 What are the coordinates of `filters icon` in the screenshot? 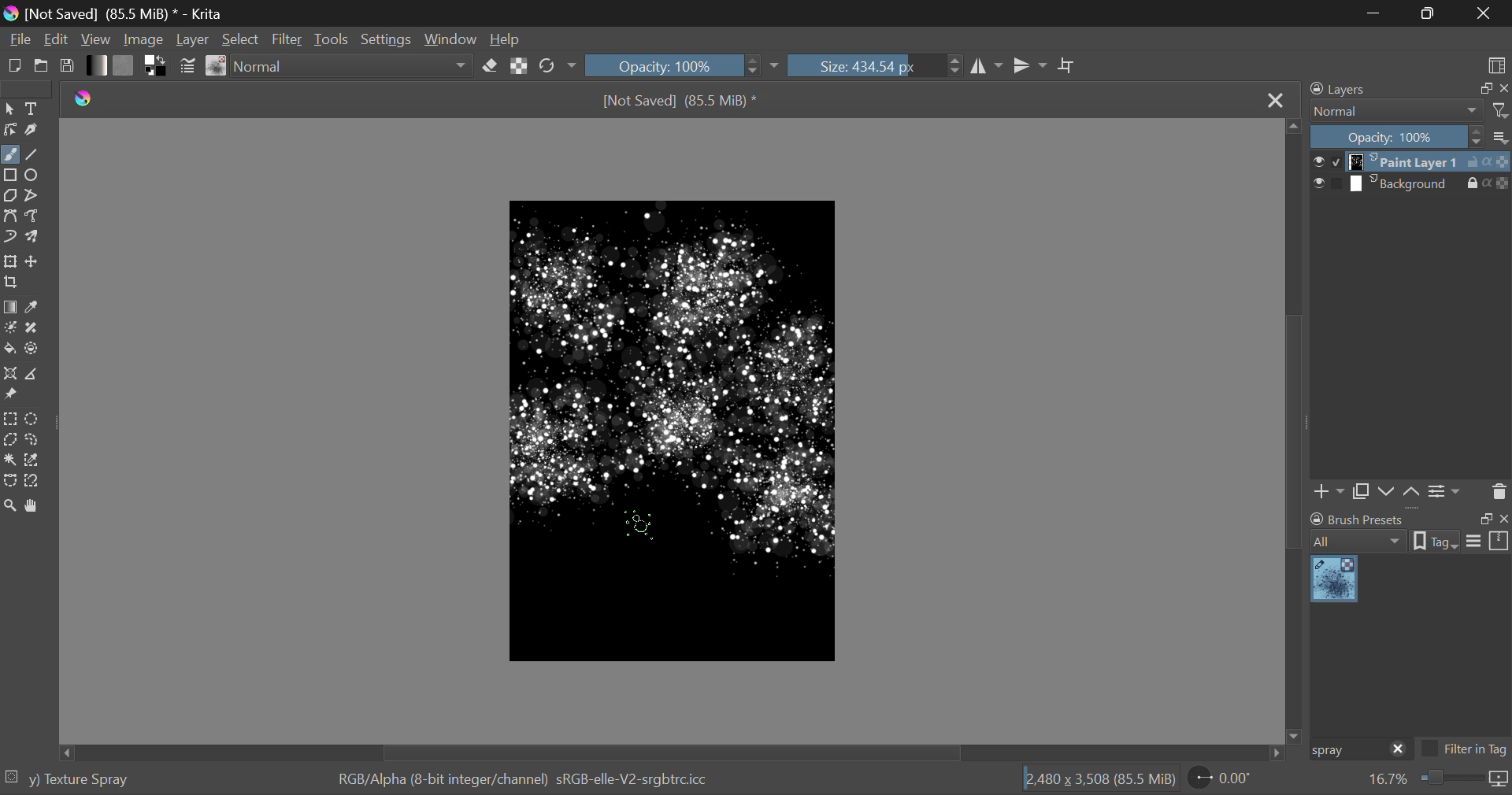 It's located at (1501, 109).